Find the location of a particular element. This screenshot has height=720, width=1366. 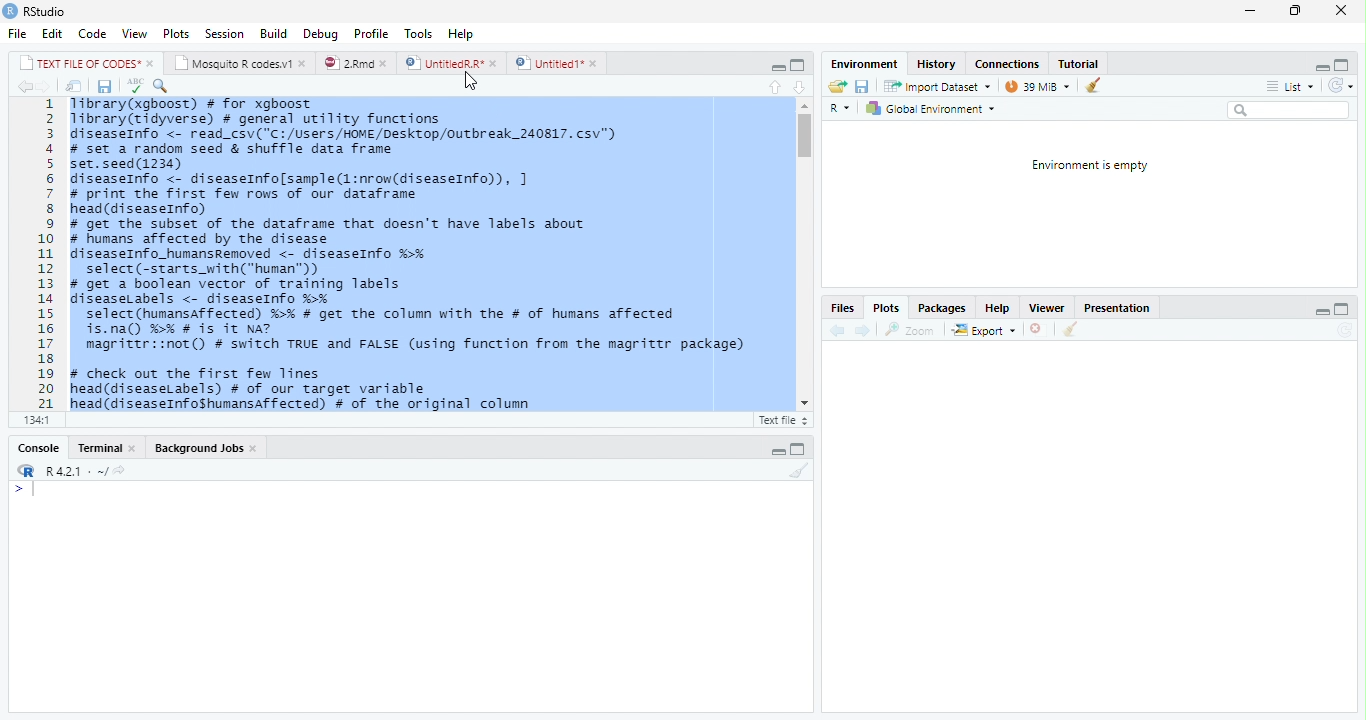

Viewer is located at coordinates (1049, 307).